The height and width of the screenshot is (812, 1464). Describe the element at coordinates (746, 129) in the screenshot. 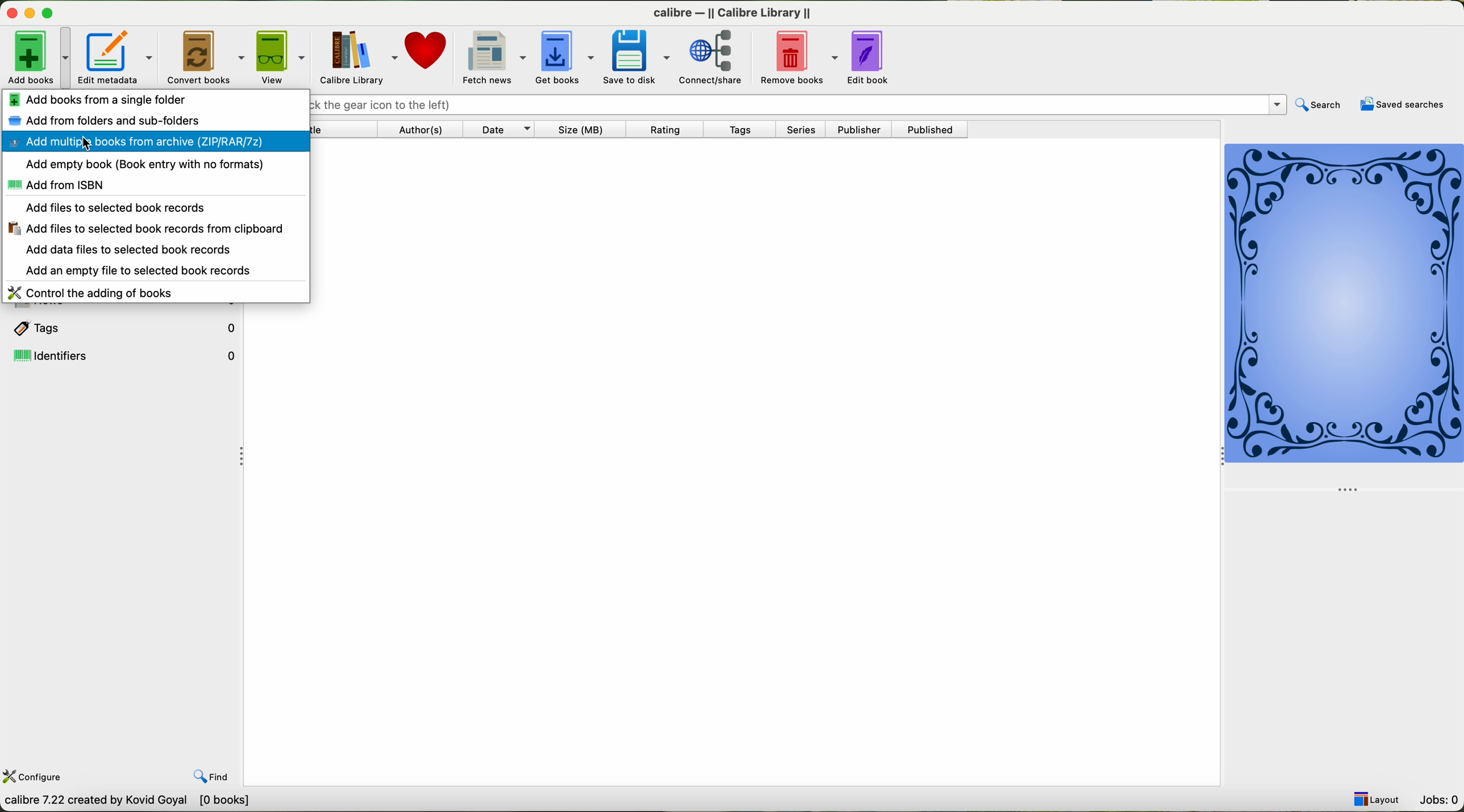

I see `tags` at that location.